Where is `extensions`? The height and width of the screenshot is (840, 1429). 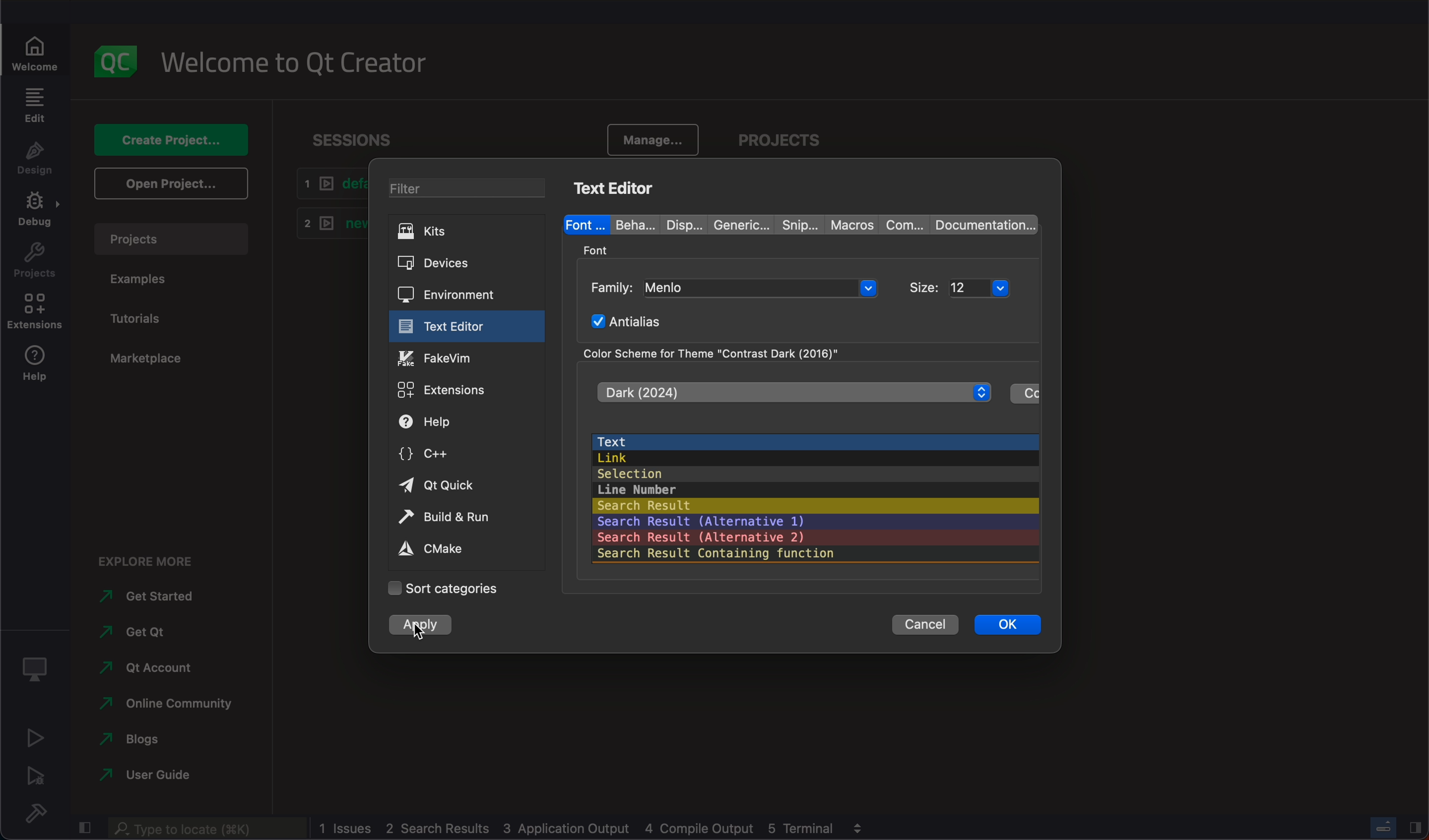 extensions is located at coordinates (465, 389).